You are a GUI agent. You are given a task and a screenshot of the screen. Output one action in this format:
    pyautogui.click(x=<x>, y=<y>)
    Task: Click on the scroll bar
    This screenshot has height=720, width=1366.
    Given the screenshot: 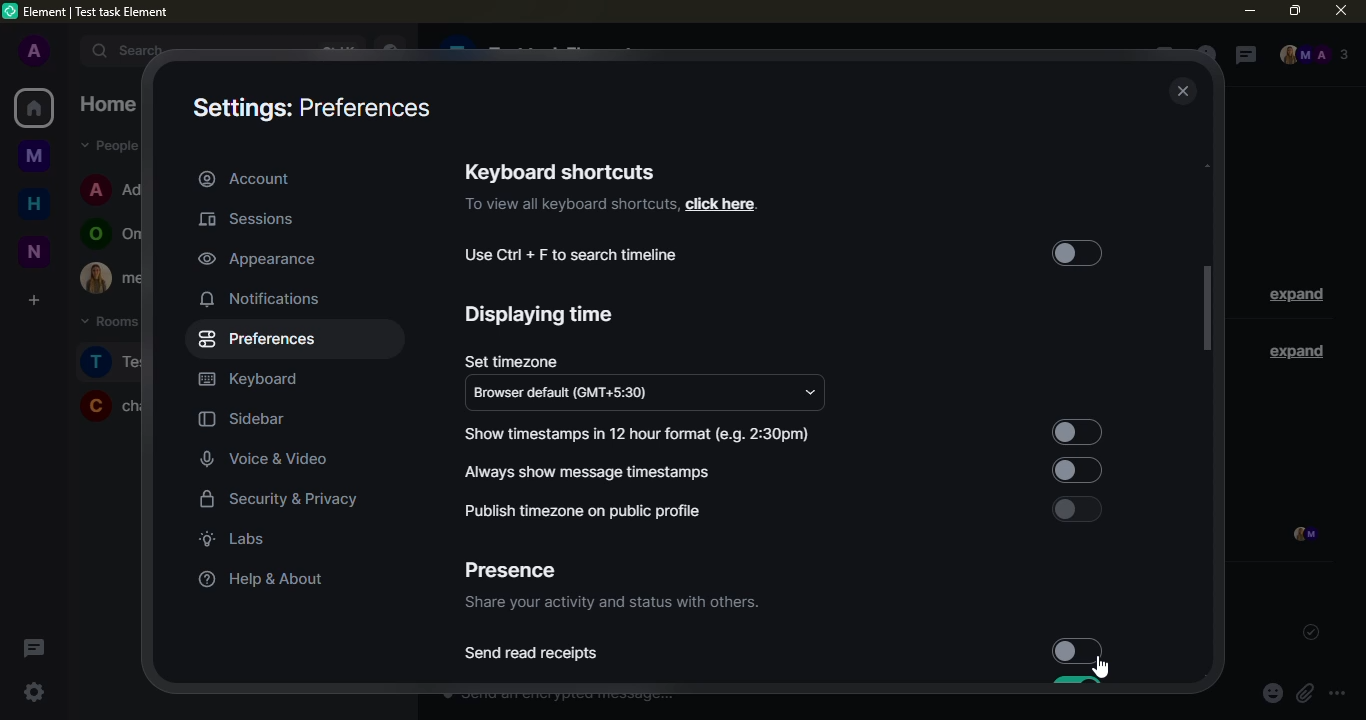 What is the action you would take?
    pyautogui.click(x=1208, y=309)
    